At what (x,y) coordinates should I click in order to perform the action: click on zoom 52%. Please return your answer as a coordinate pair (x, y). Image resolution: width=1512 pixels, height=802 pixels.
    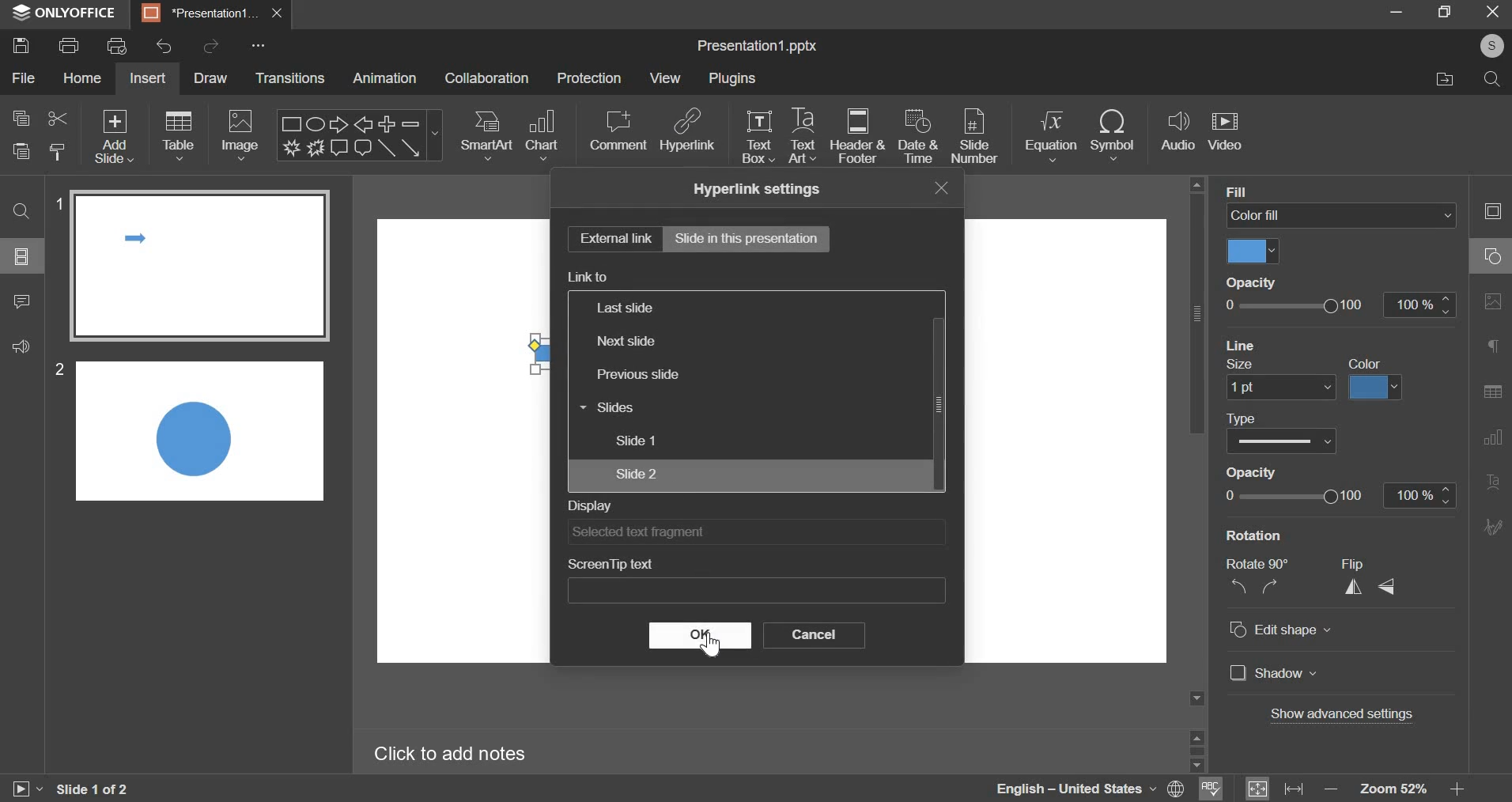
    Looking at the image, I should click on (1392, 789).